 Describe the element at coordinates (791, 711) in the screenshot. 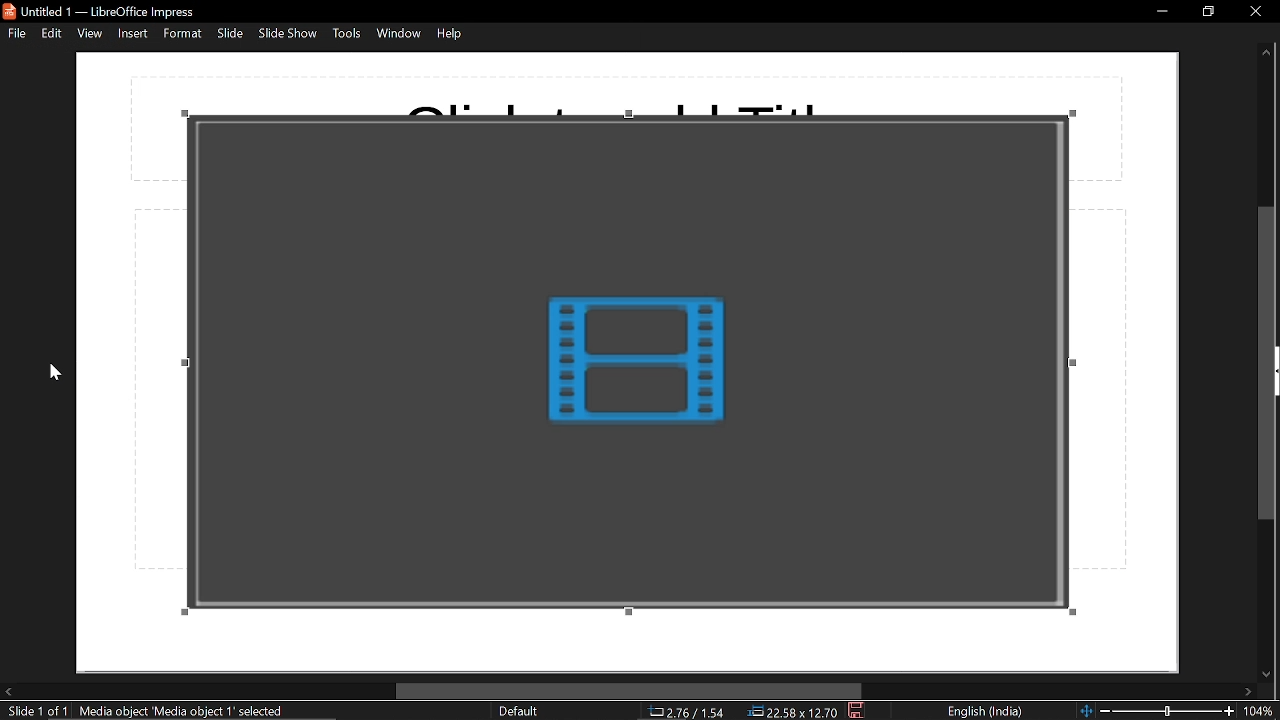

I see `position` at that location.